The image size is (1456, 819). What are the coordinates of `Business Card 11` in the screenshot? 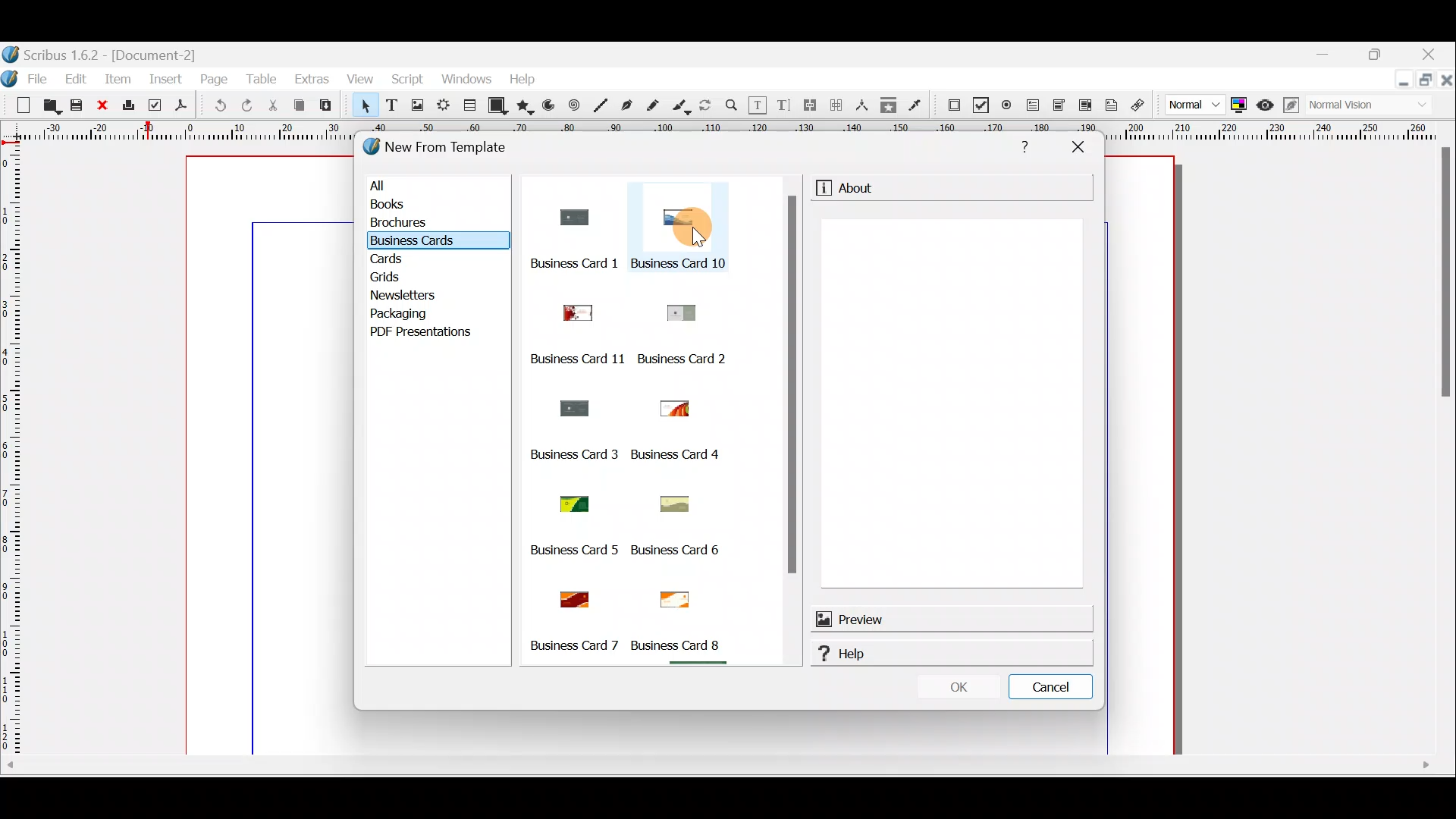 It's located at (576, 358).